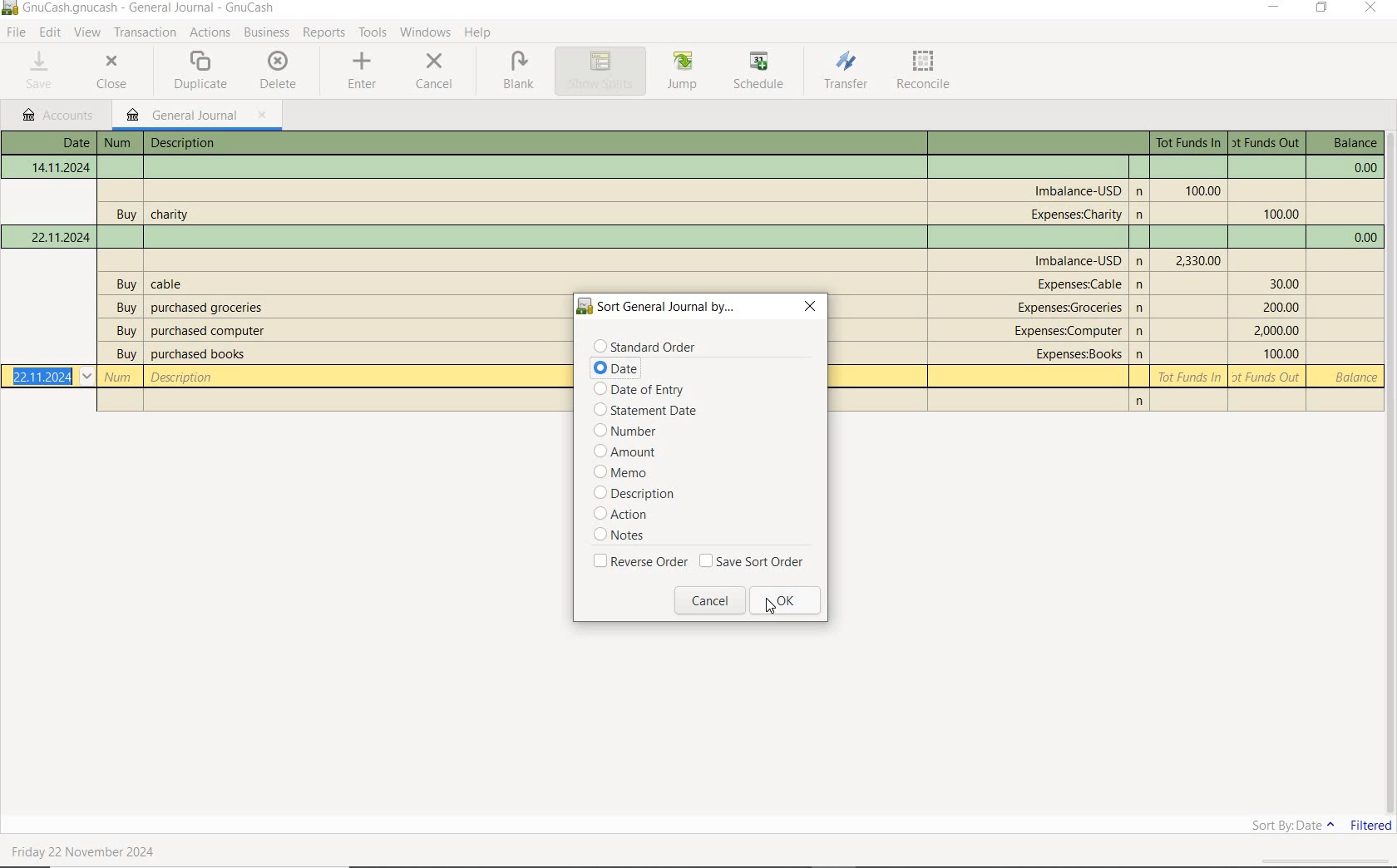 The width and height of the screenshot is (1397, 868). I want to click on account, so click(1080, 284).